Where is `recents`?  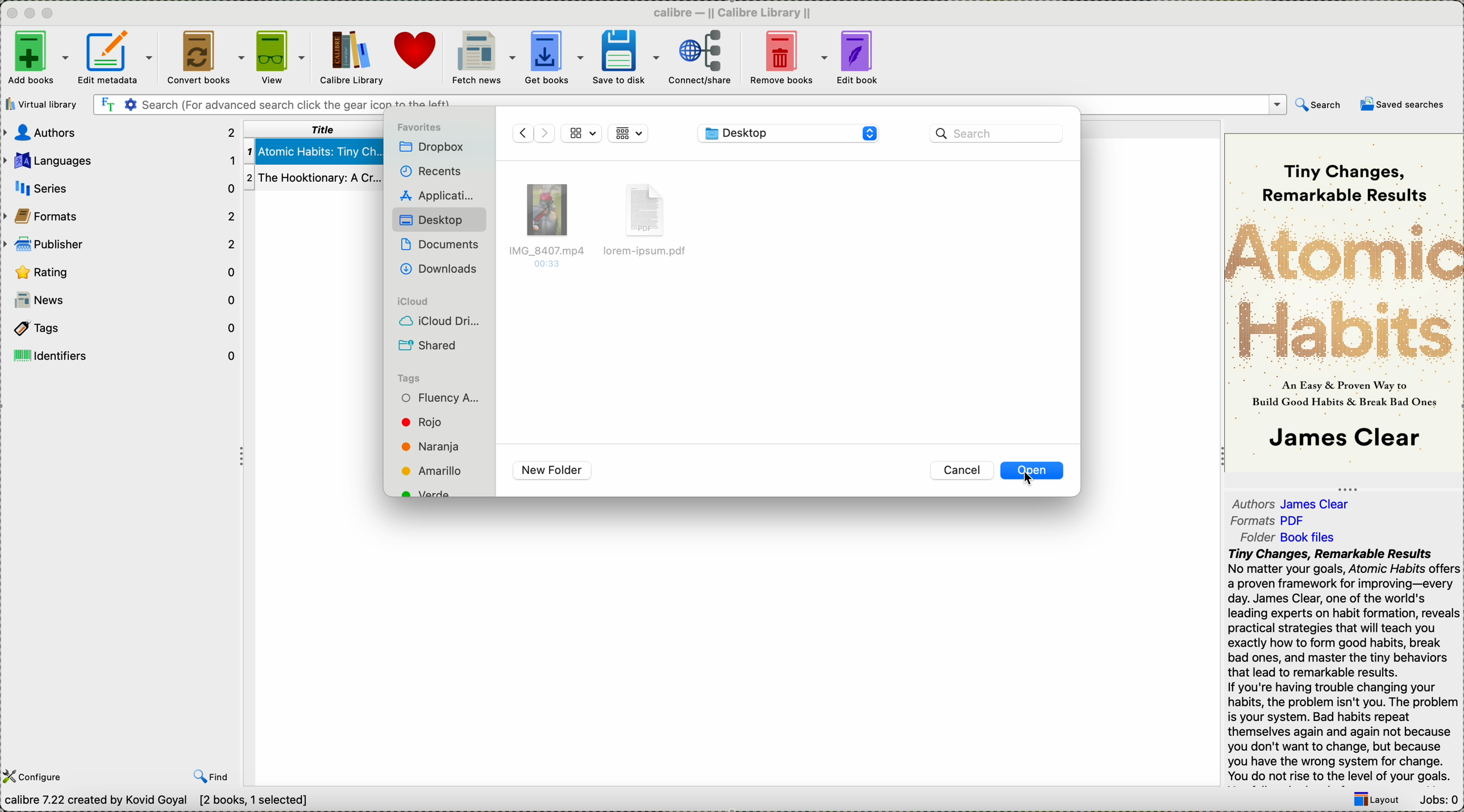
recents is located at coordinates (430, 171).